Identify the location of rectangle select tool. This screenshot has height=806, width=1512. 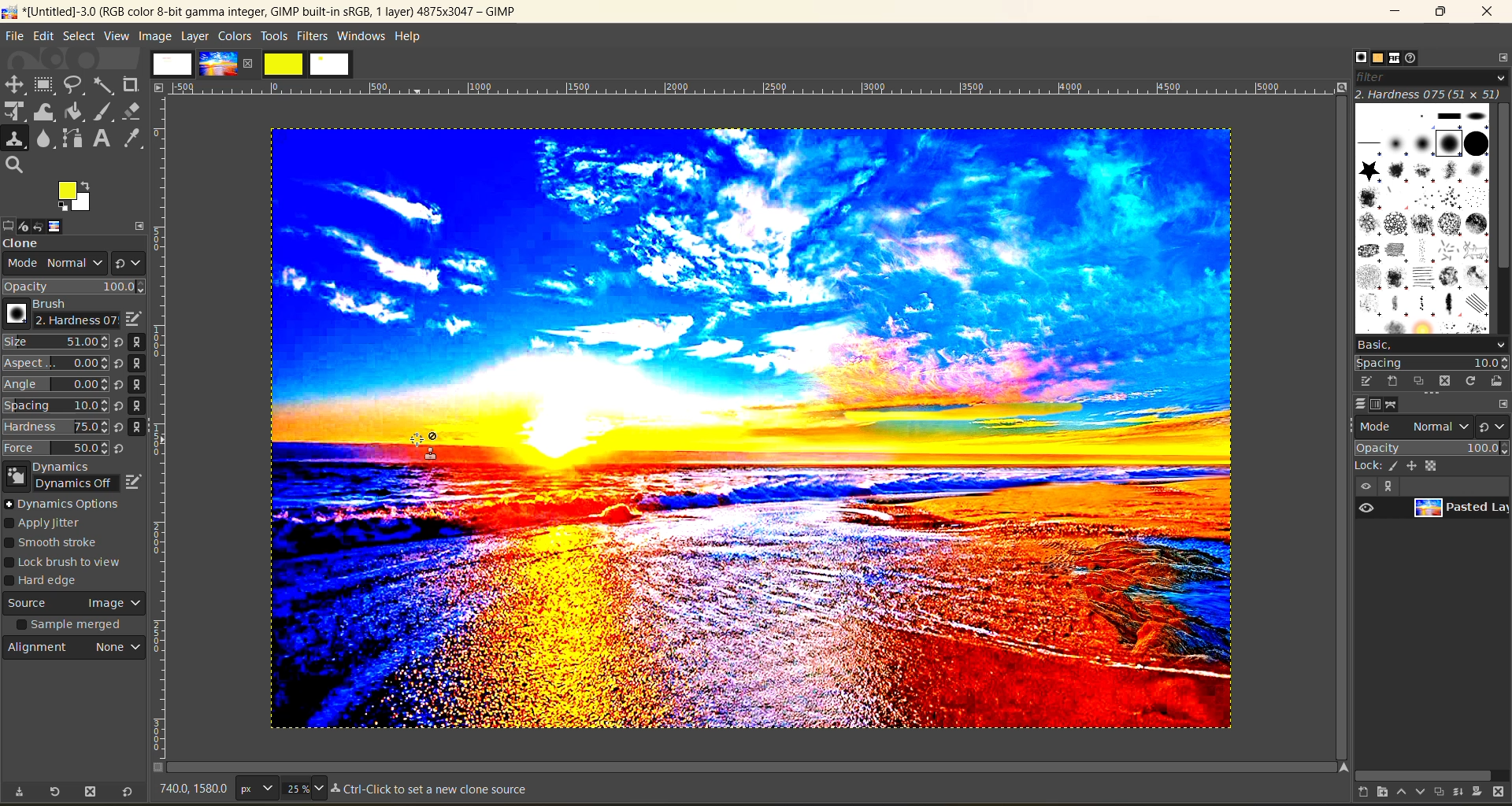
(46, 85).